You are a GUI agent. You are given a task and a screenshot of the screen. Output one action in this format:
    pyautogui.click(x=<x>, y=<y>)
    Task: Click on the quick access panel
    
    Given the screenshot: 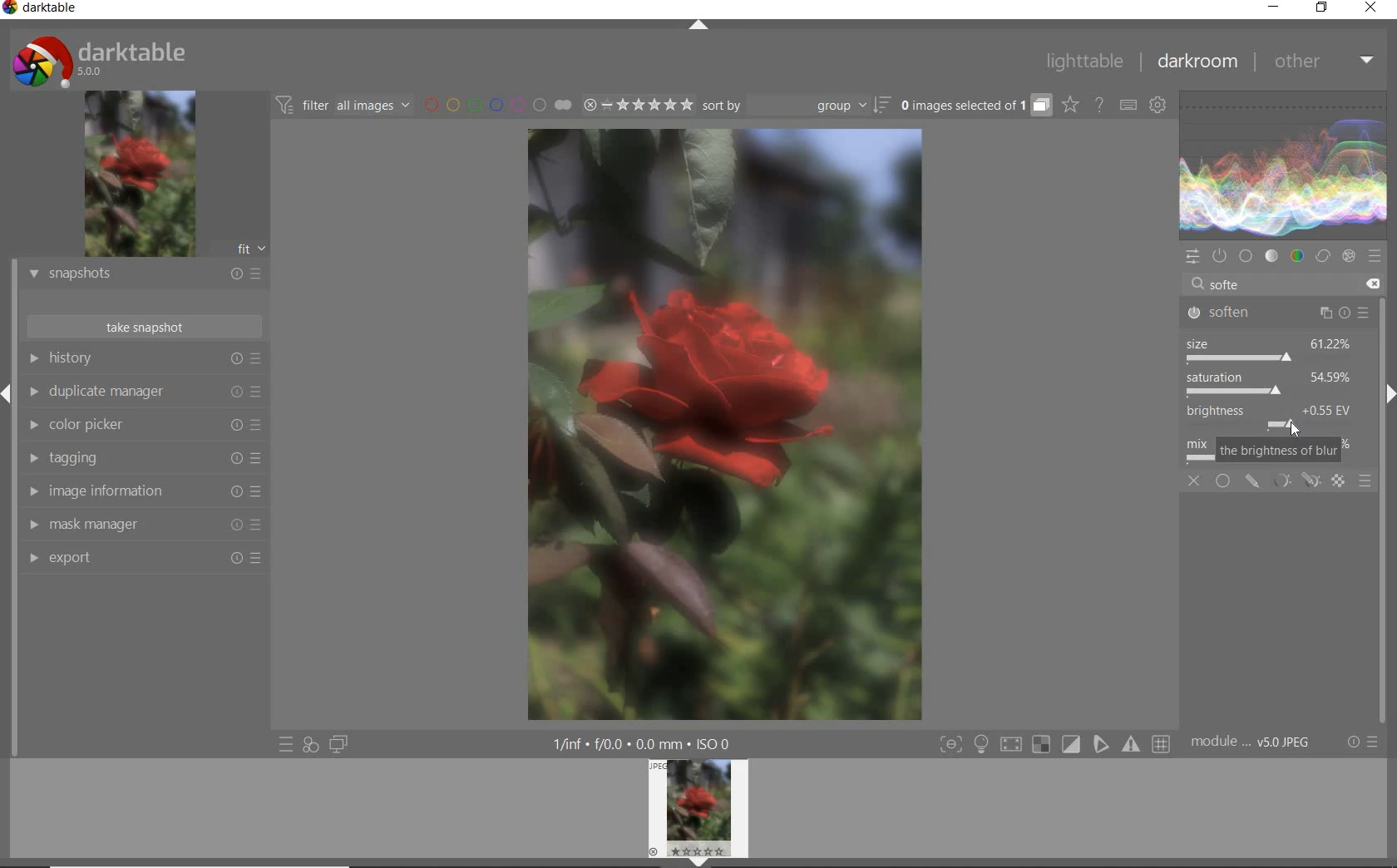 What is the action you would take?
    pyautogui.click(x=1192, y=257)
    